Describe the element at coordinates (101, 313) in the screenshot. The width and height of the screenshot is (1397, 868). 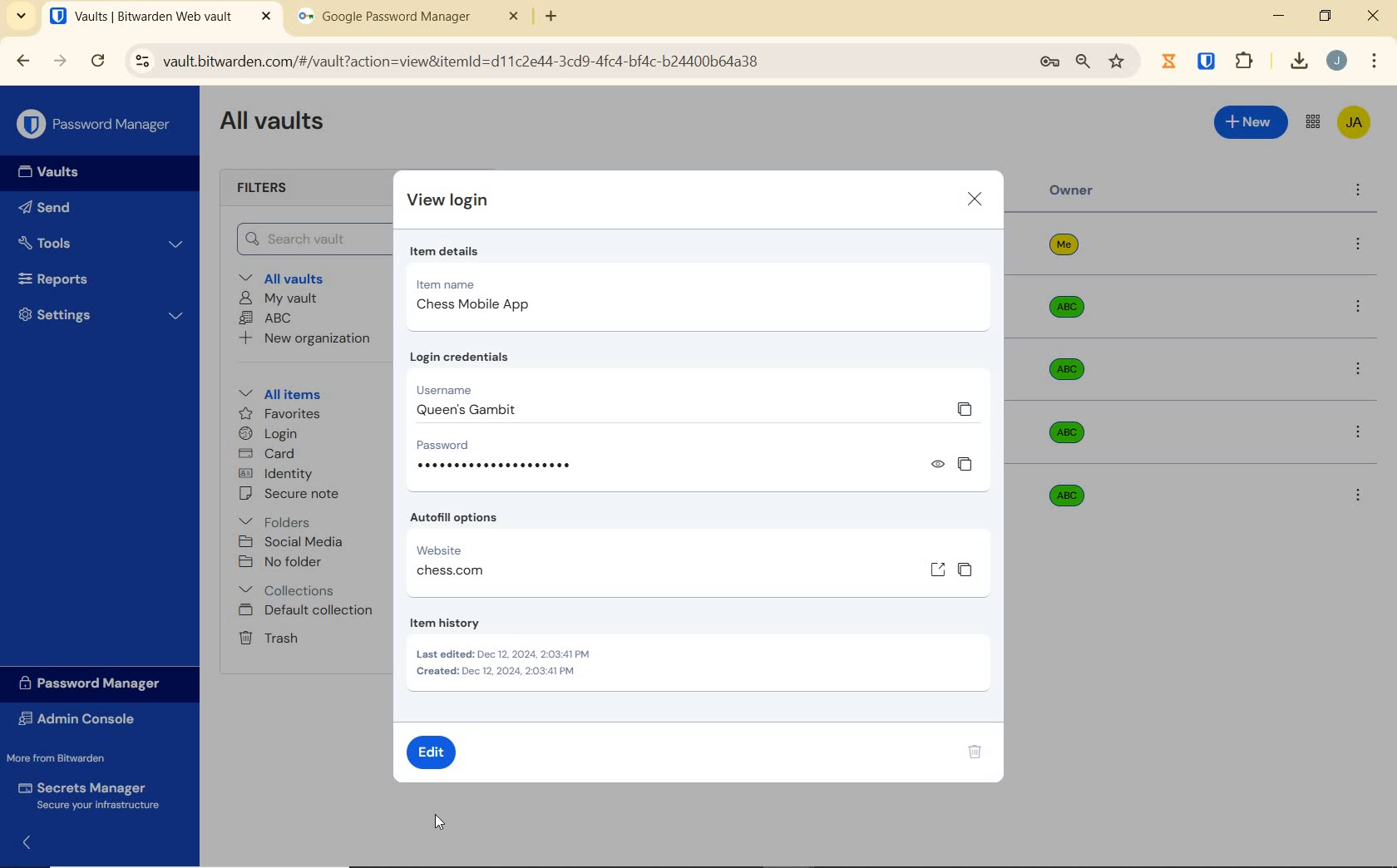
I see `Settings` at that location.